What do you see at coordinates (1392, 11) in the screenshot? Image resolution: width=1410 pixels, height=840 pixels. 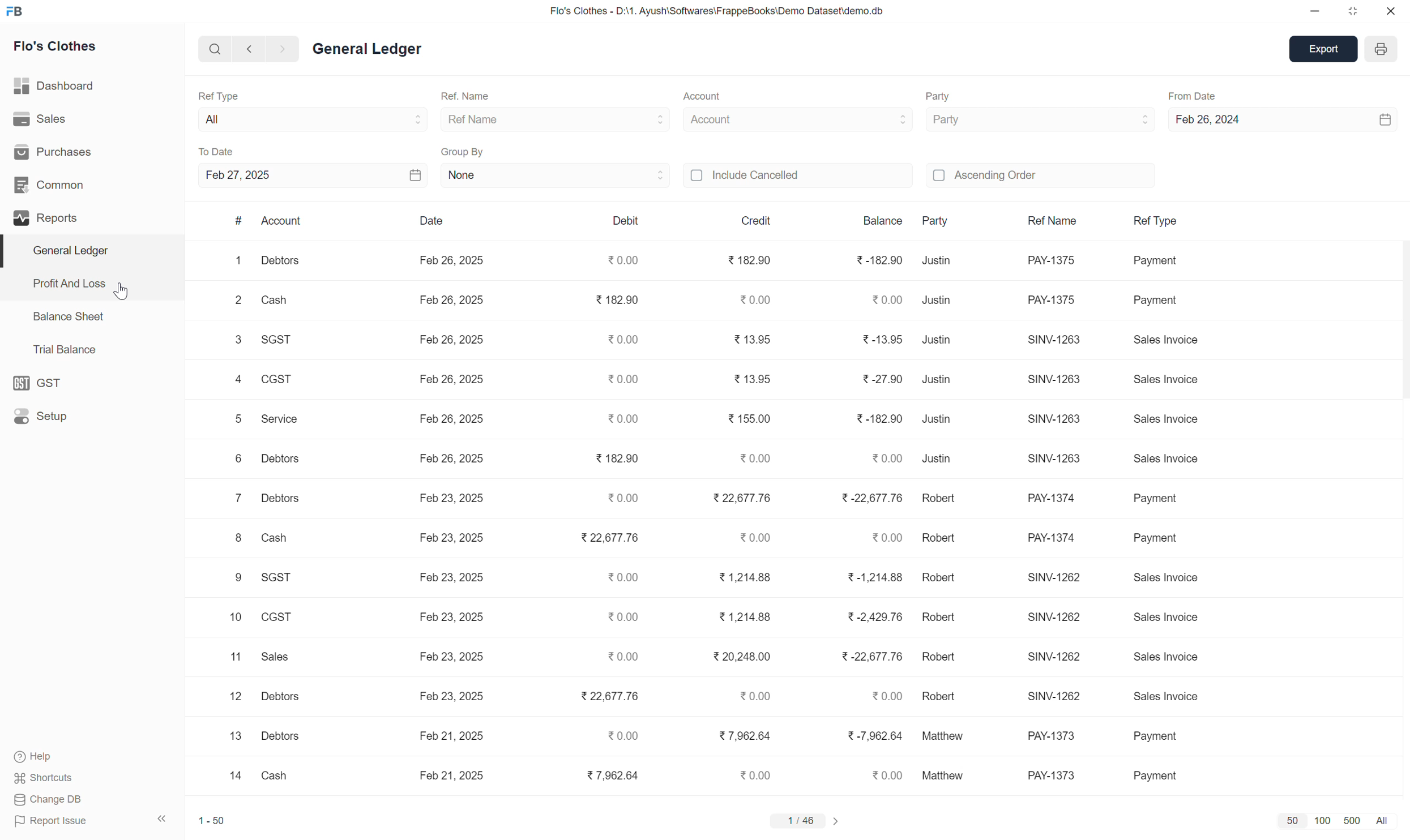 I see `close` at bounding box center [1392, 11].